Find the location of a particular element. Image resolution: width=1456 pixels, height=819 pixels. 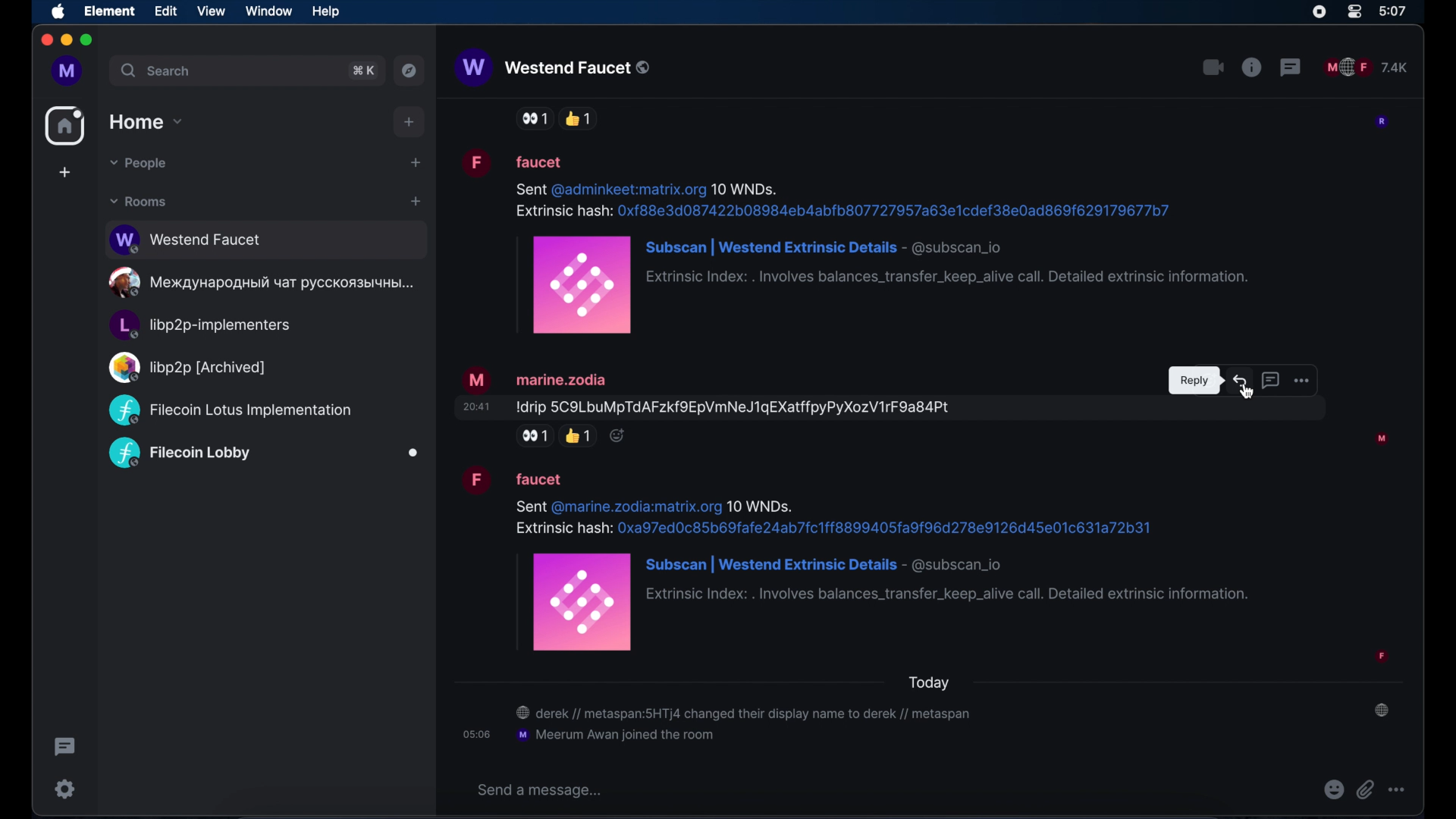

public room participants is located at coordinates (1367, 67).